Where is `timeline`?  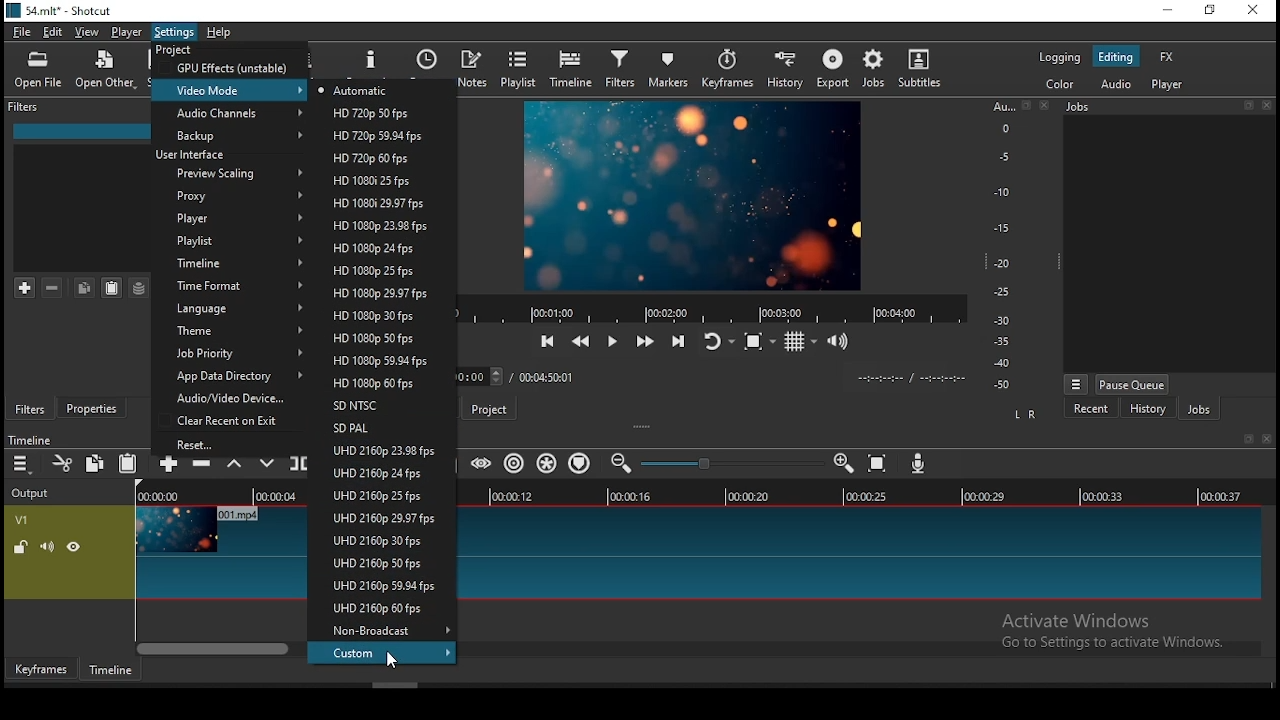 timeline is located at coordinates (108, 671).